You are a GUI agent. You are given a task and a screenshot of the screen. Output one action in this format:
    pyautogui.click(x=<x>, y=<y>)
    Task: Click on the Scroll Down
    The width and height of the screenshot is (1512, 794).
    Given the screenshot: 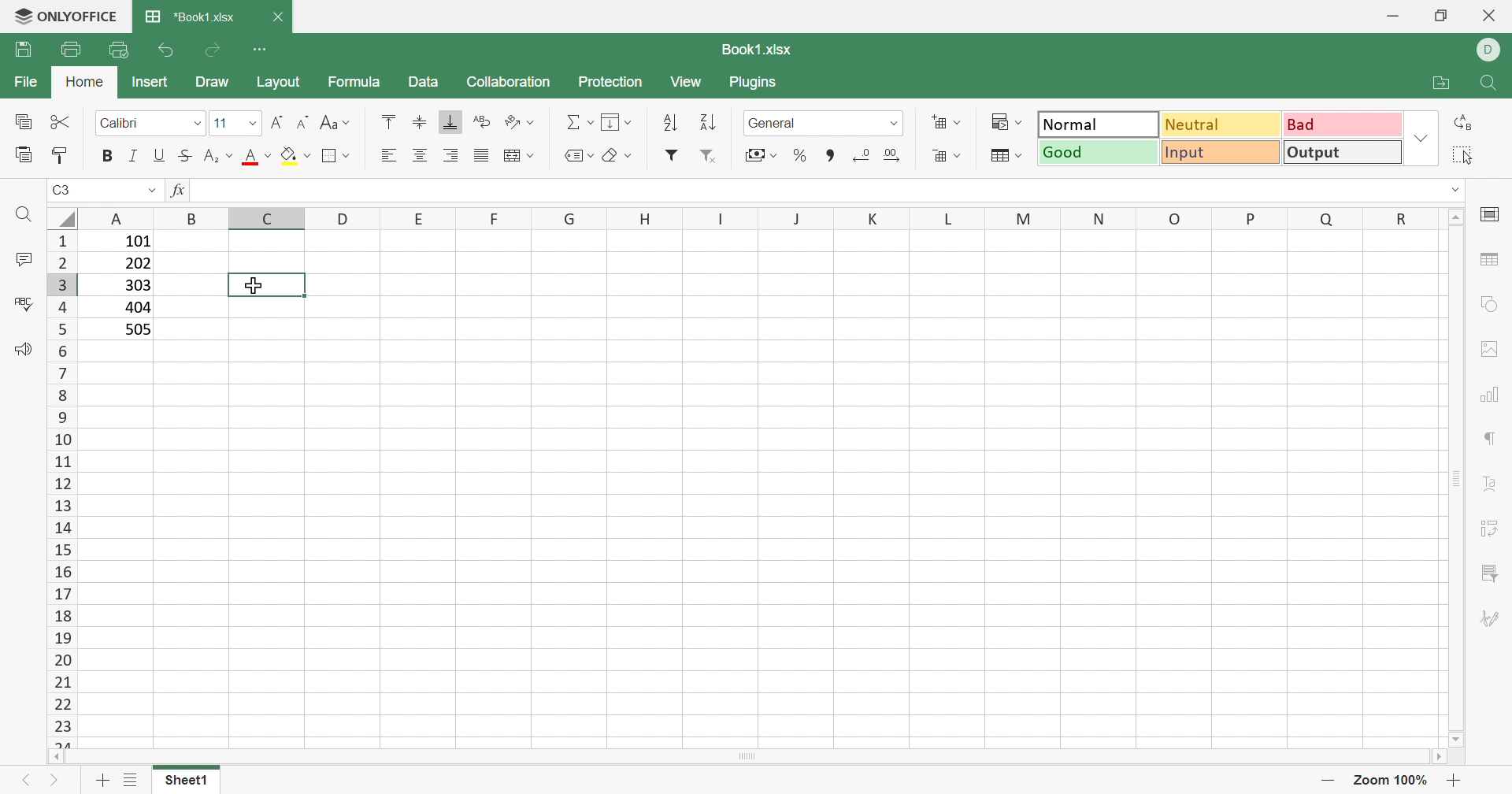 What is the action you would take?
    pyautogui.click(x=1451, y=735)
    